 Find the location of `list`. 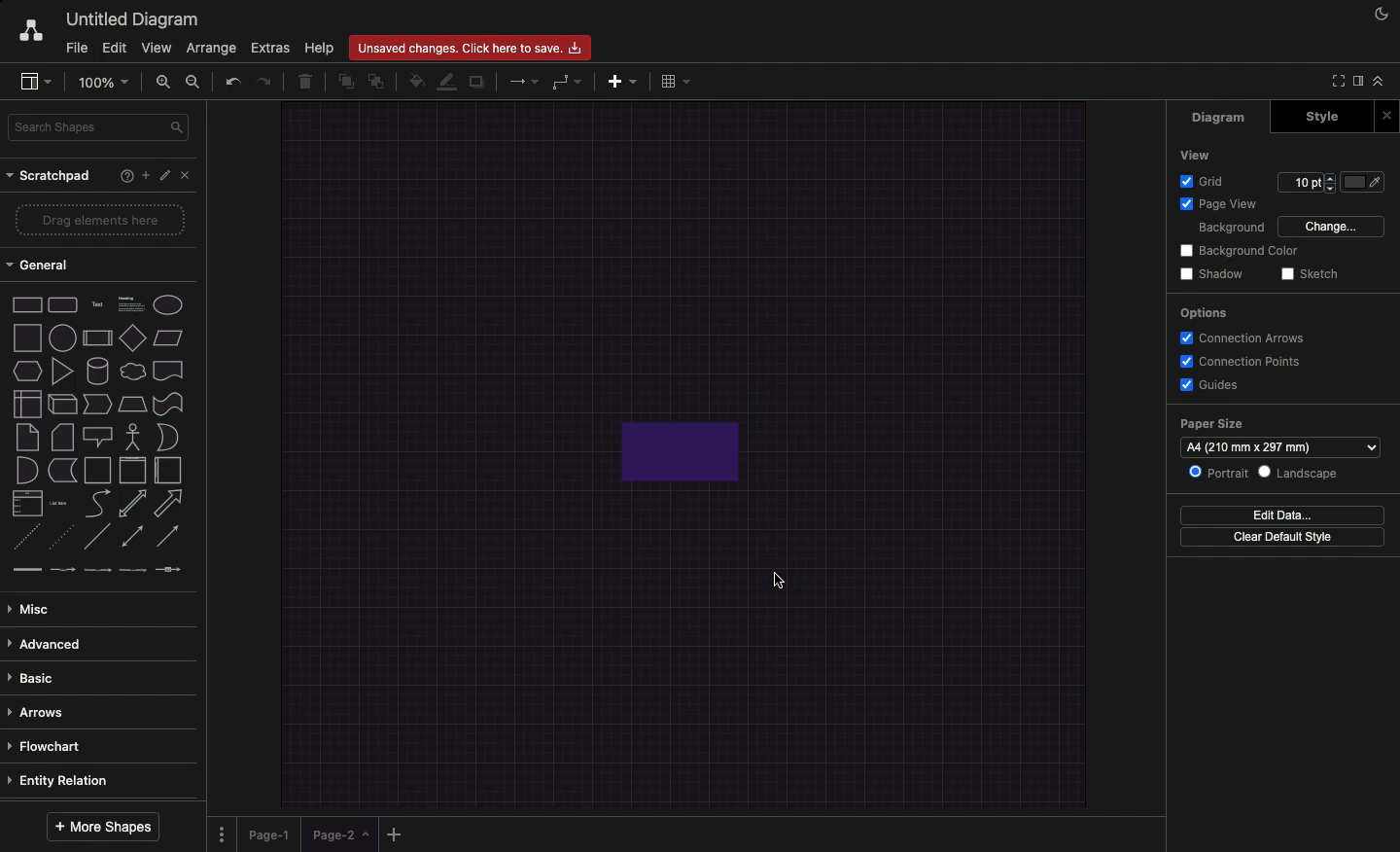

list is located at coordinates (24, 504).